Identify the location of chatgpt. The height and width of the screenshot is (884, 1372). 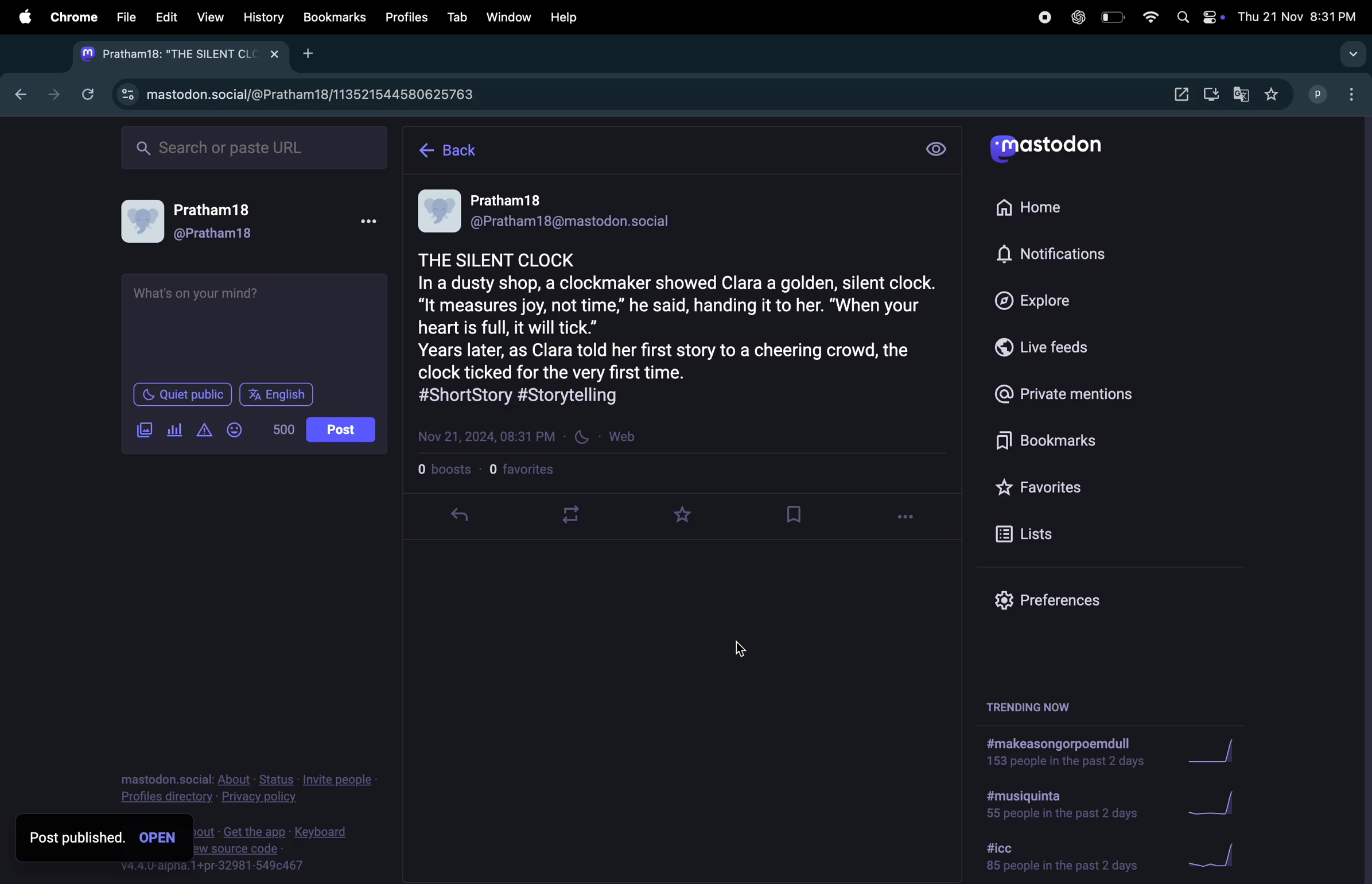
(1076, 17).